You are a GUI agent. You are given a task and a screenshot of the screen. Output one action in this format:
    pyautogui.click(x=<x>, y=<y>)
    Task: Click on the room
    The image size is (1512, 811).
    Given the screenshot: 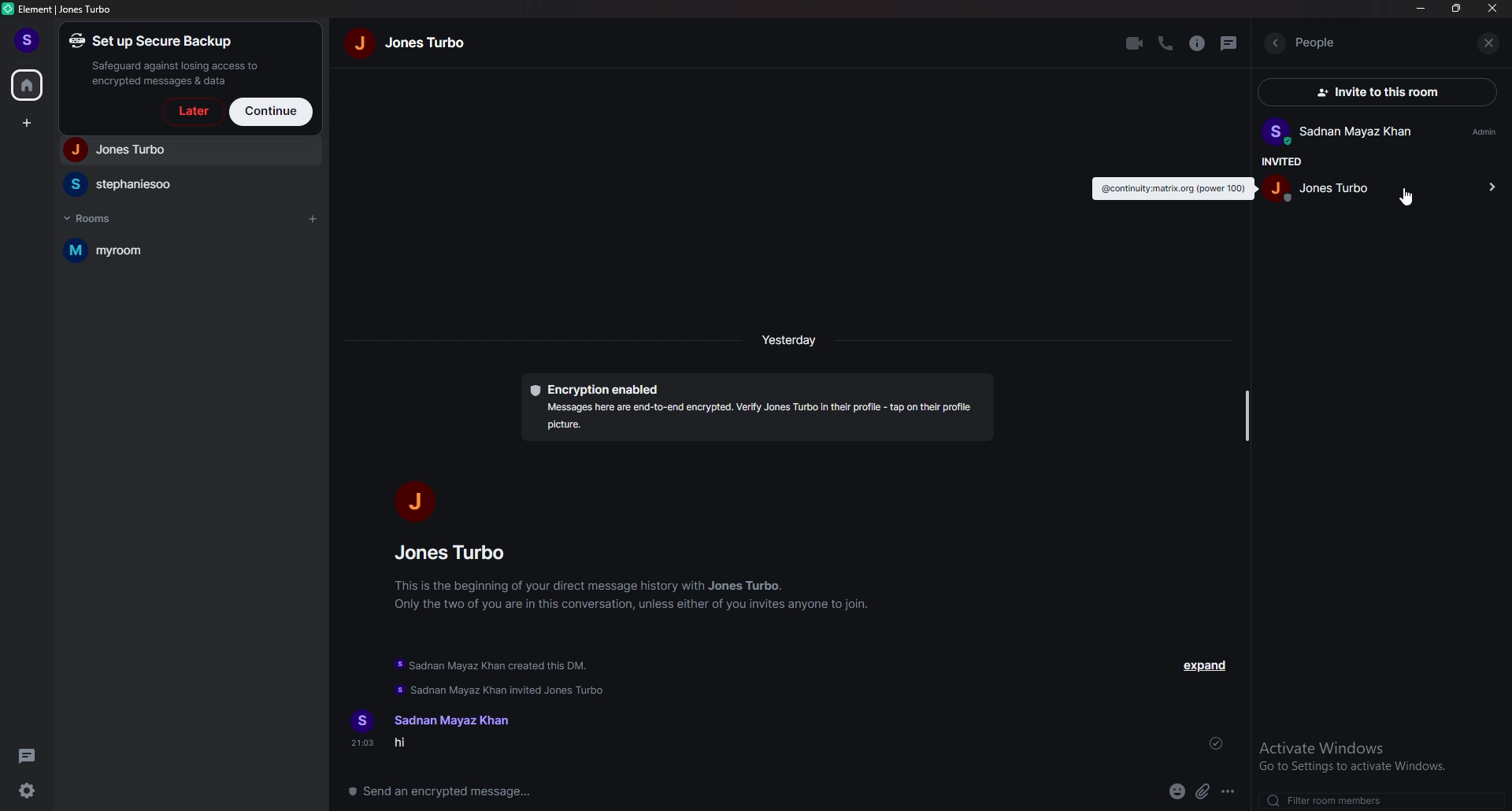 What is the action you would take?
    pyautogui.click(x=181, y=251)
    